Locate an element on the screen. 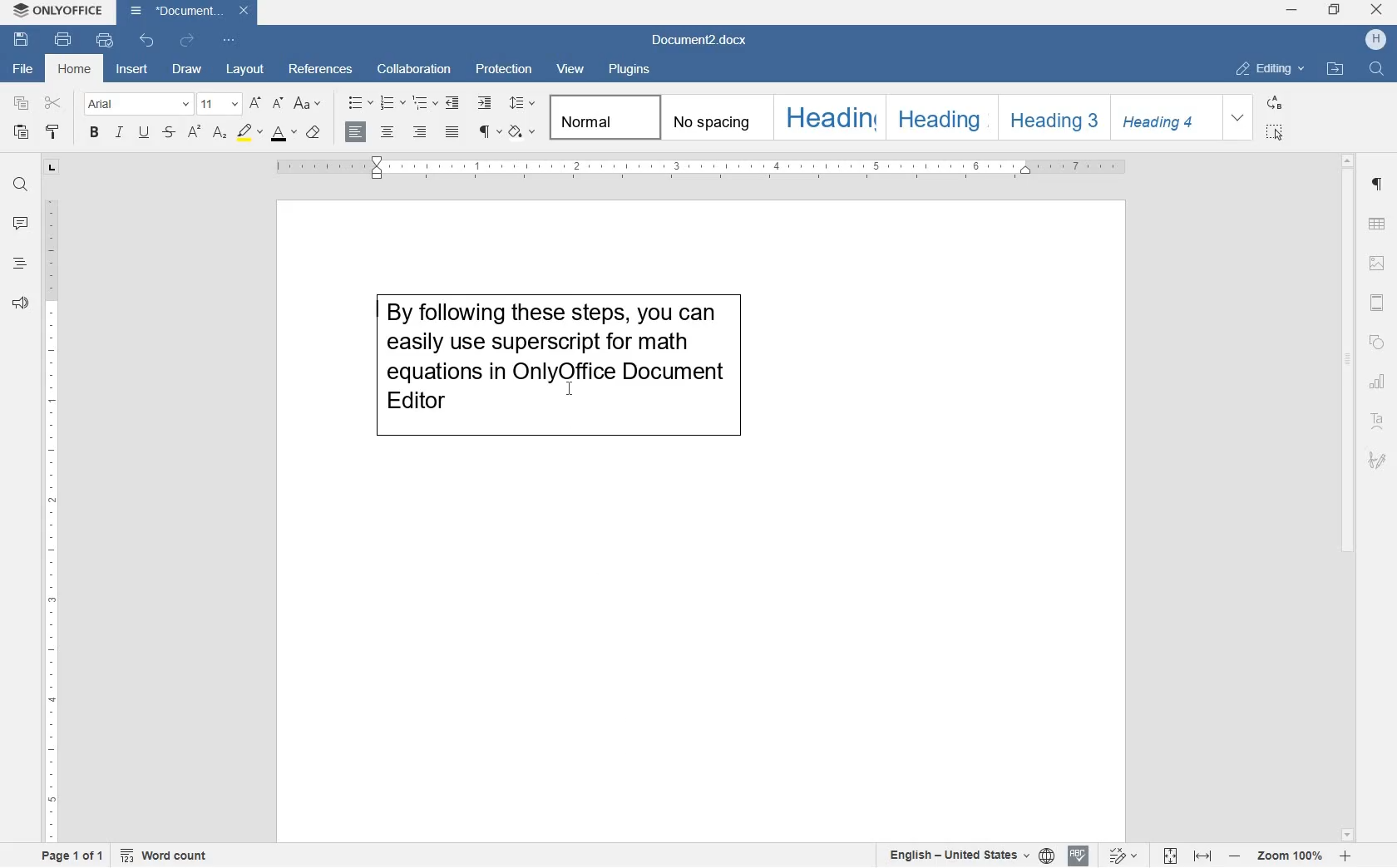  customize quick access toolbar is located at coordinates (230, 41).